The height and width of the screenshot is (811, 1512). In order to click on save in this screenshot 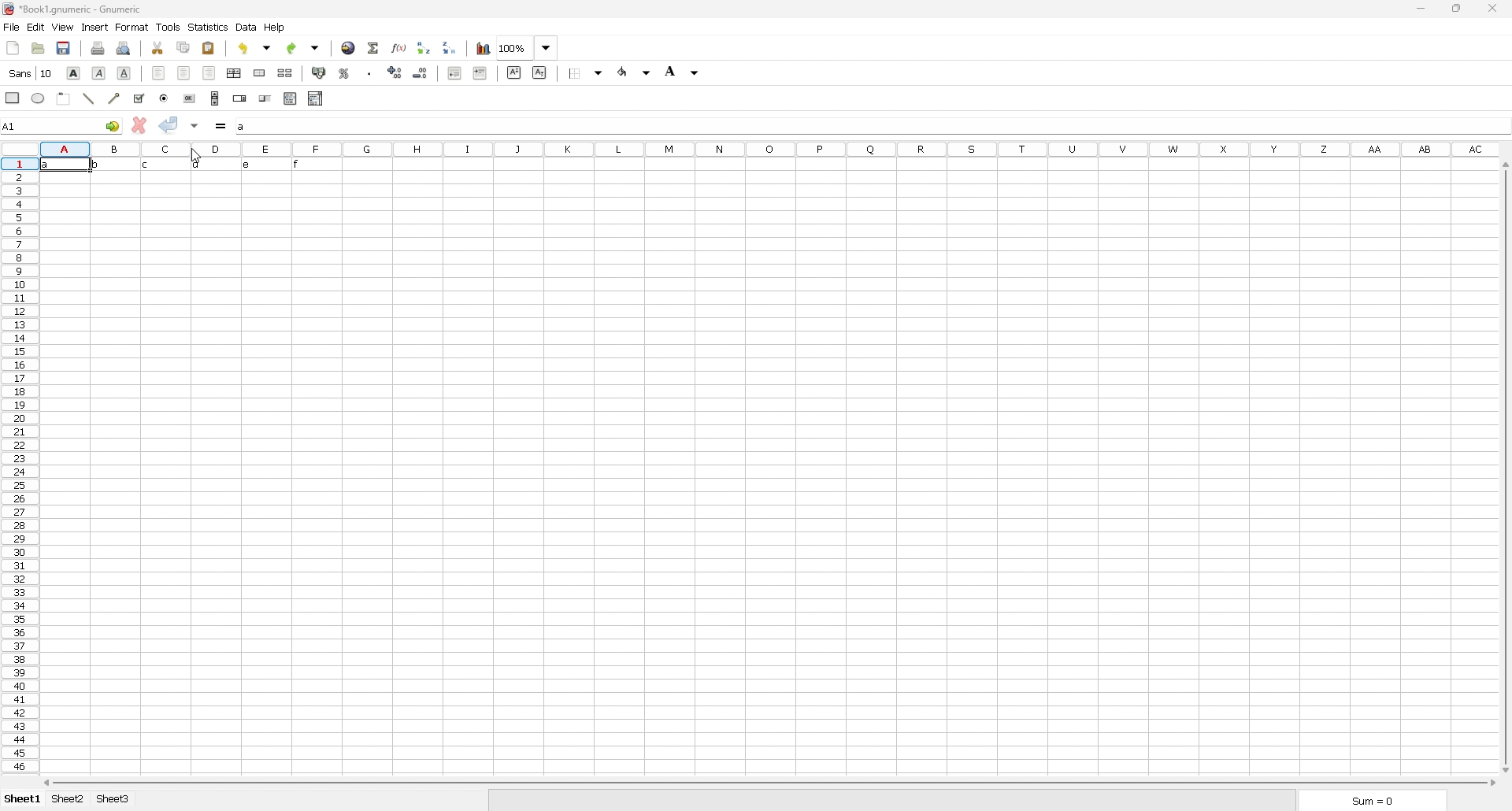, I will do `click(65, 46)`.